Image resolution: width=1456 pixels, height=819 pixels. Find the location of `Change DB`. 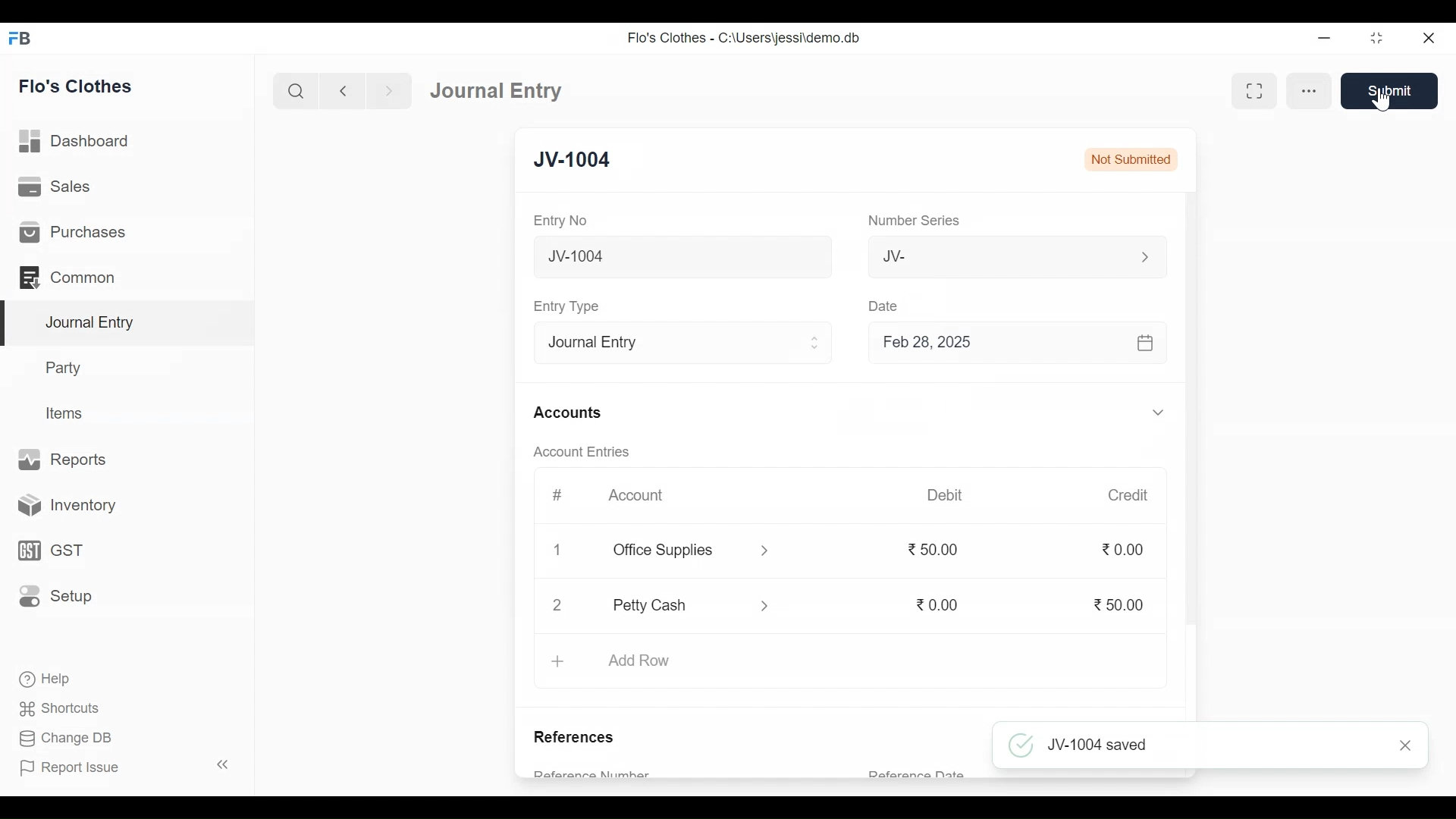

Change DB is located at coordinates (64, 736).